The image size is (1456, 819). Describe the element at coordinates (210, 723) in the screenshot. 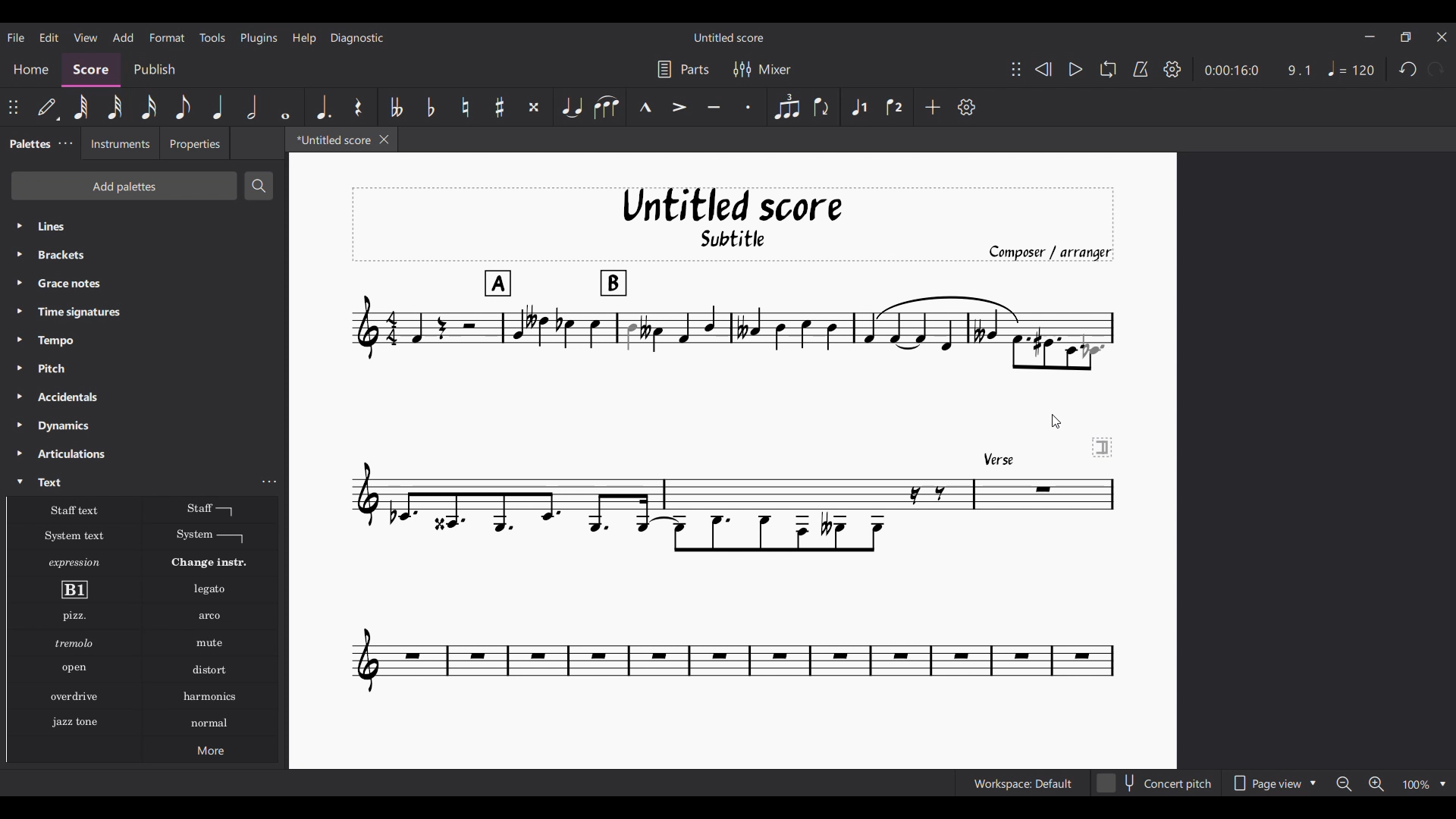

I see `Normal` at that location.